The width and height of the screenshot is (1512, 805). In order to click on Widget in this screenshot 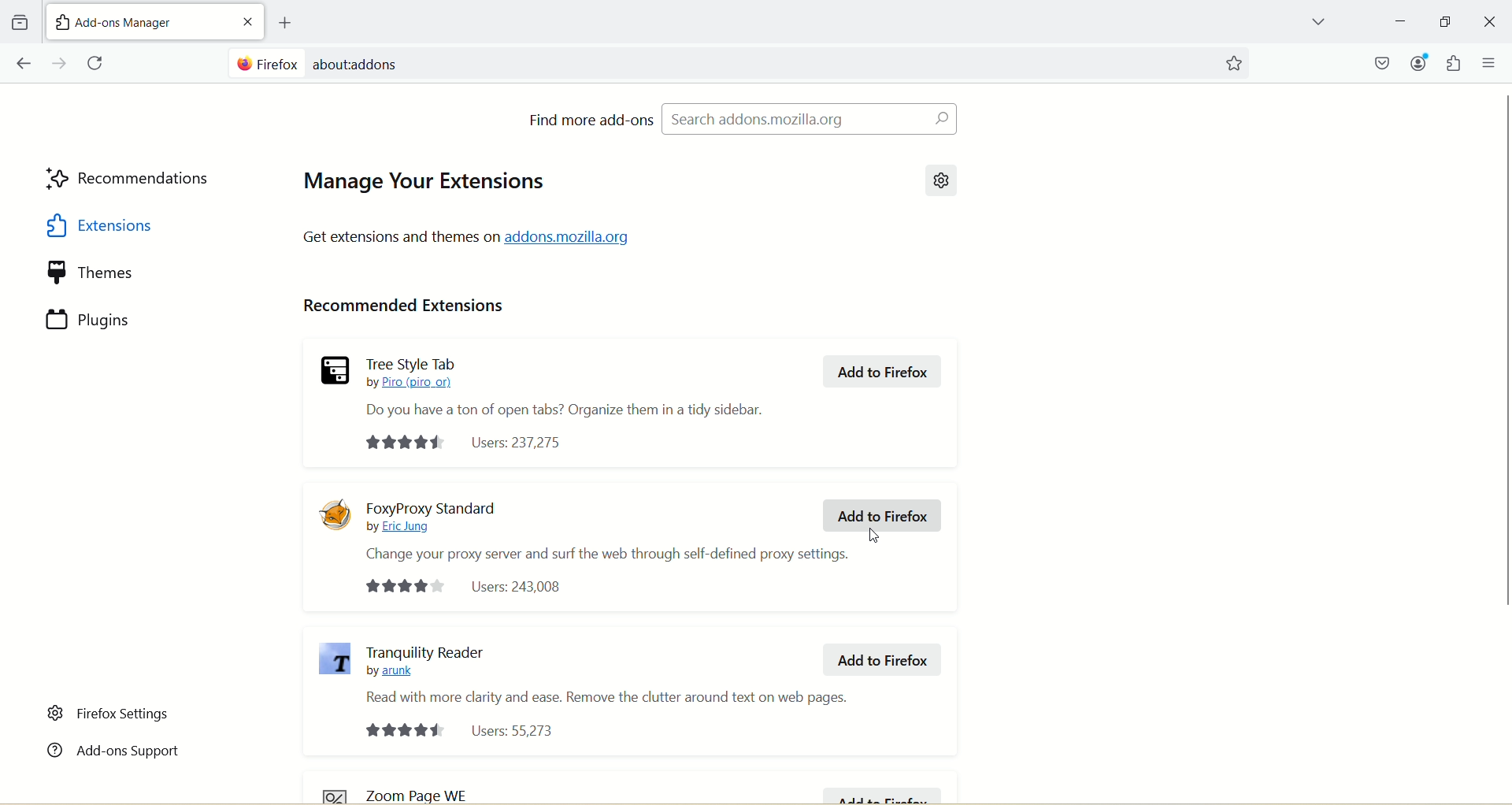, I will do `click(1453, 63)`.